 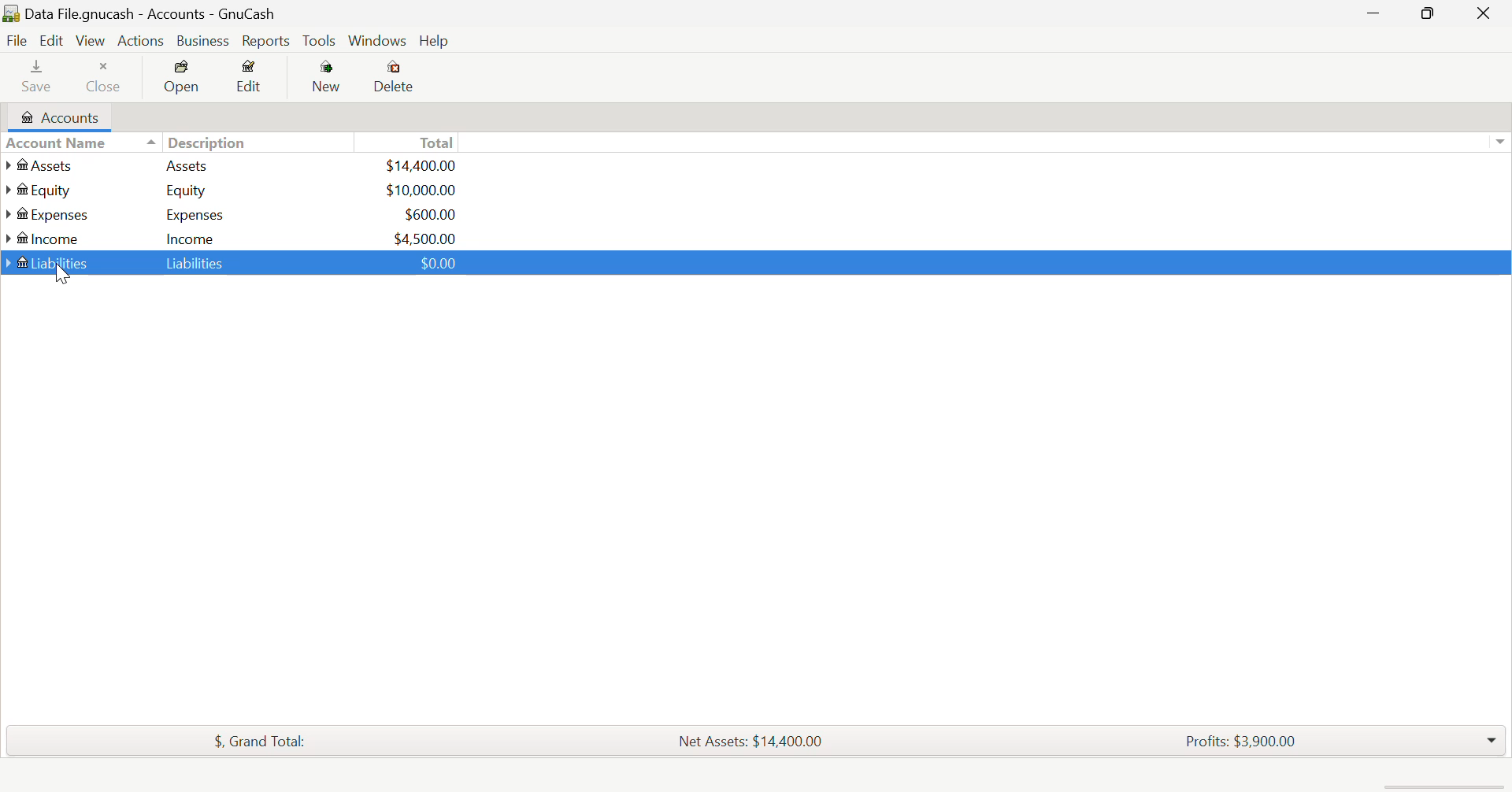 What do you see at coordinates (15, 41) in the screenshot?
I see `File` at bounding box center [15, 41].